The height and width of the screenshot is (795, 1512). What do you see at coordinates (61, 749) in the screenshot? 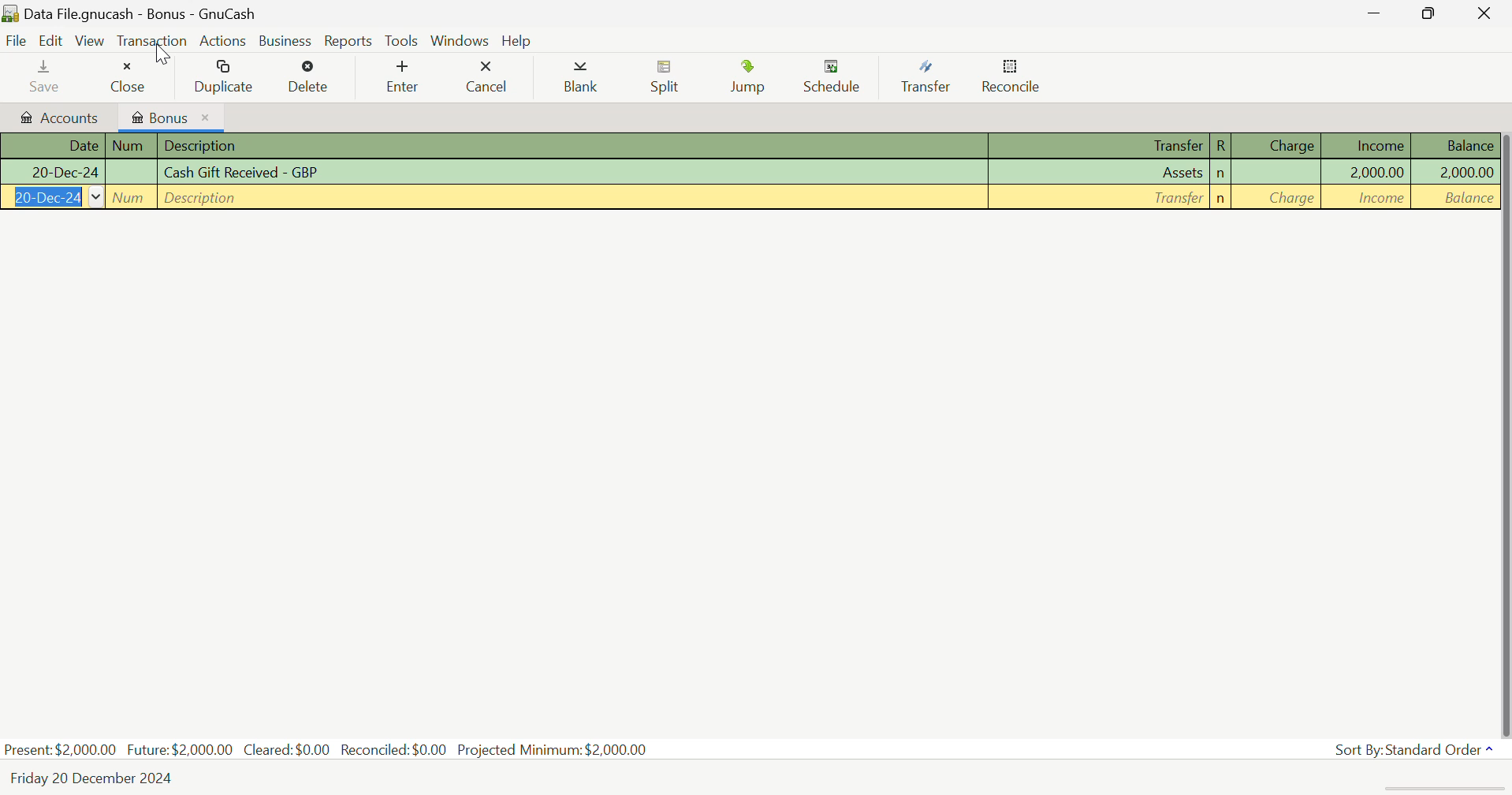
I see `Present` at bounding box center [61, 749].